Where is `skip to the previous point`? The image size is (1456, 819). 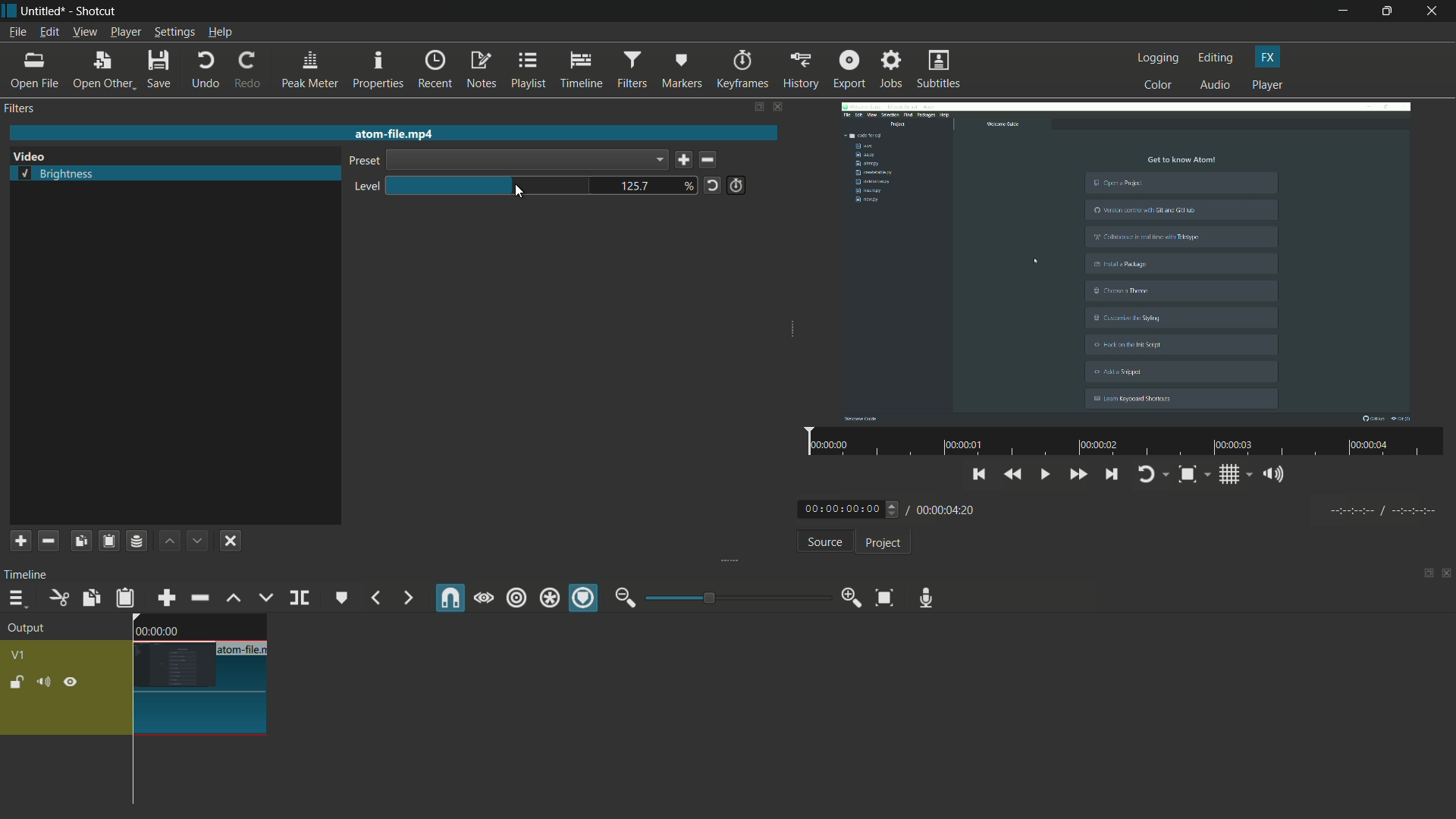
skip to the previous point is located at coordinates (979, 472).